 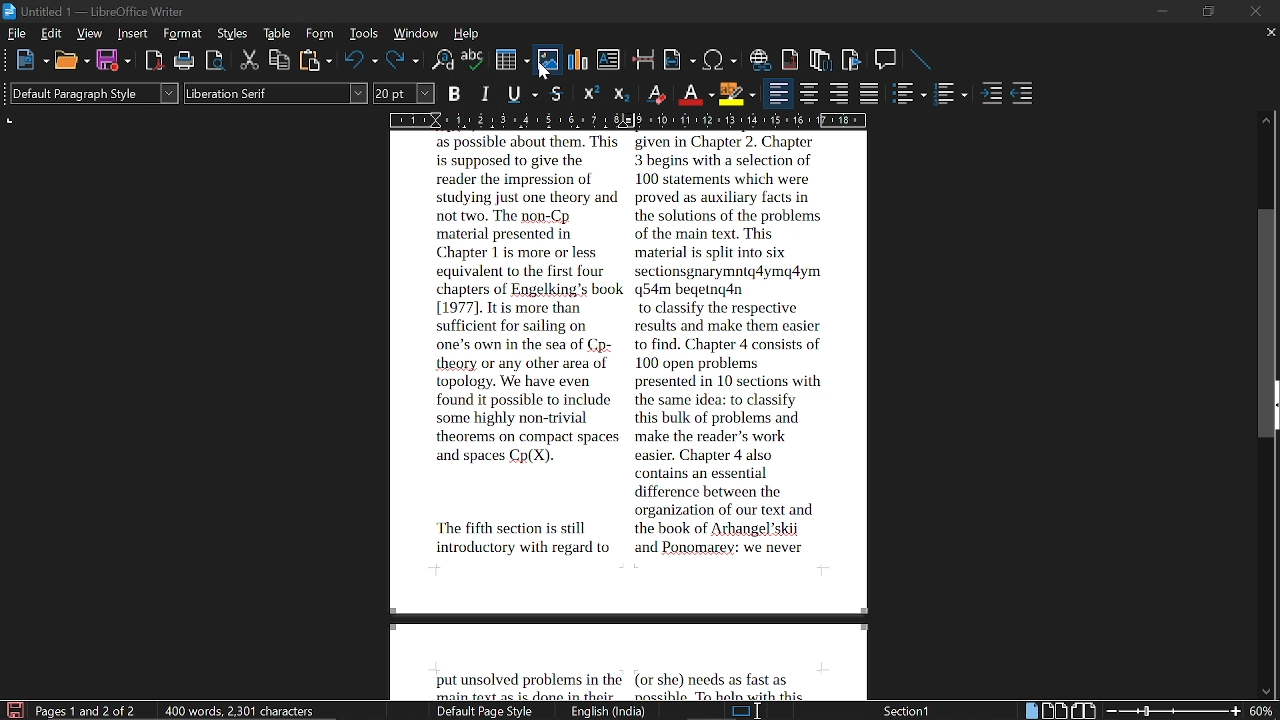 I want to click on help, so click(x=467, y=34).